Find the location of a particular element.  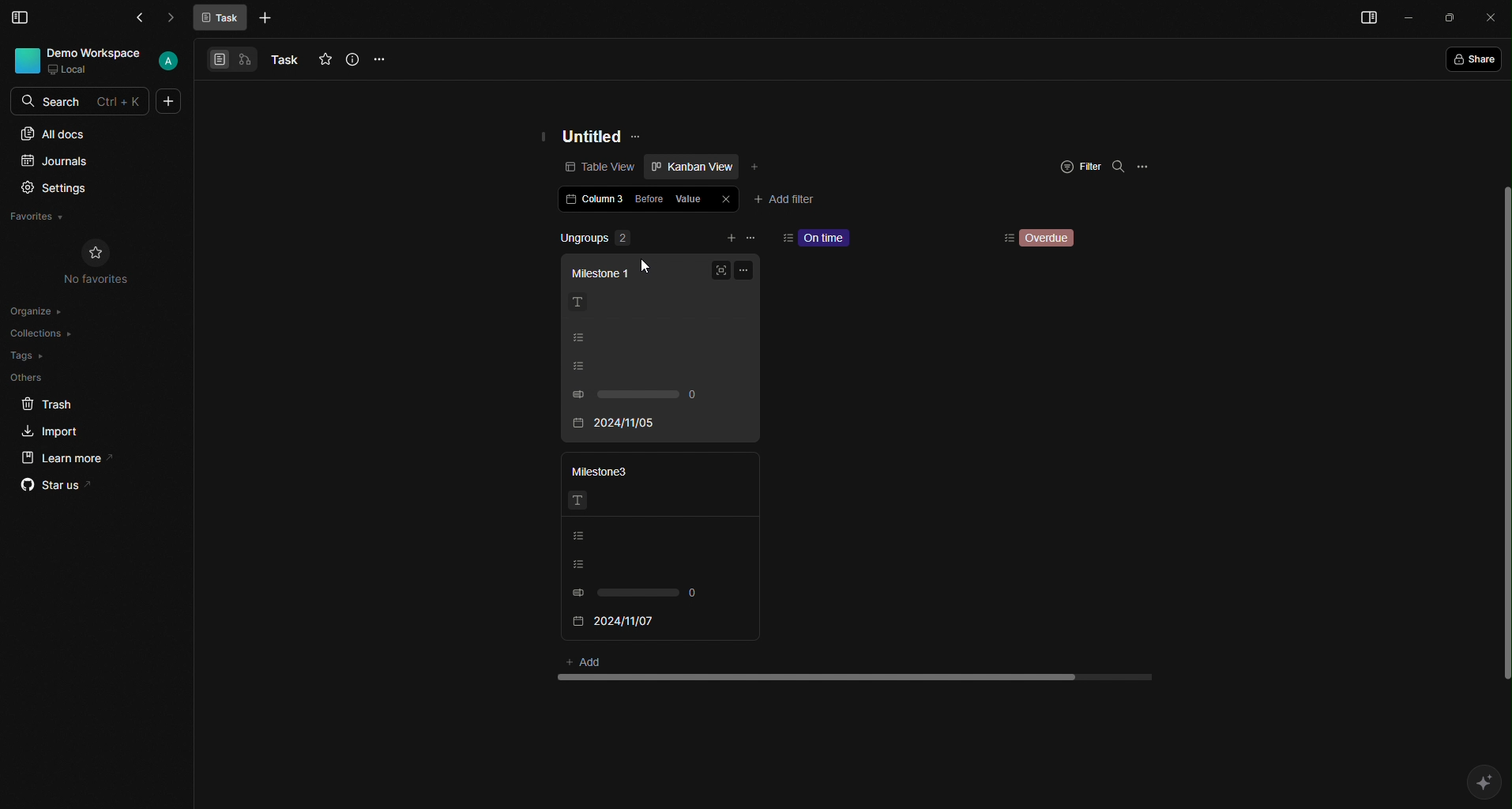

Menu bar is located at coordinates (1364, 20).